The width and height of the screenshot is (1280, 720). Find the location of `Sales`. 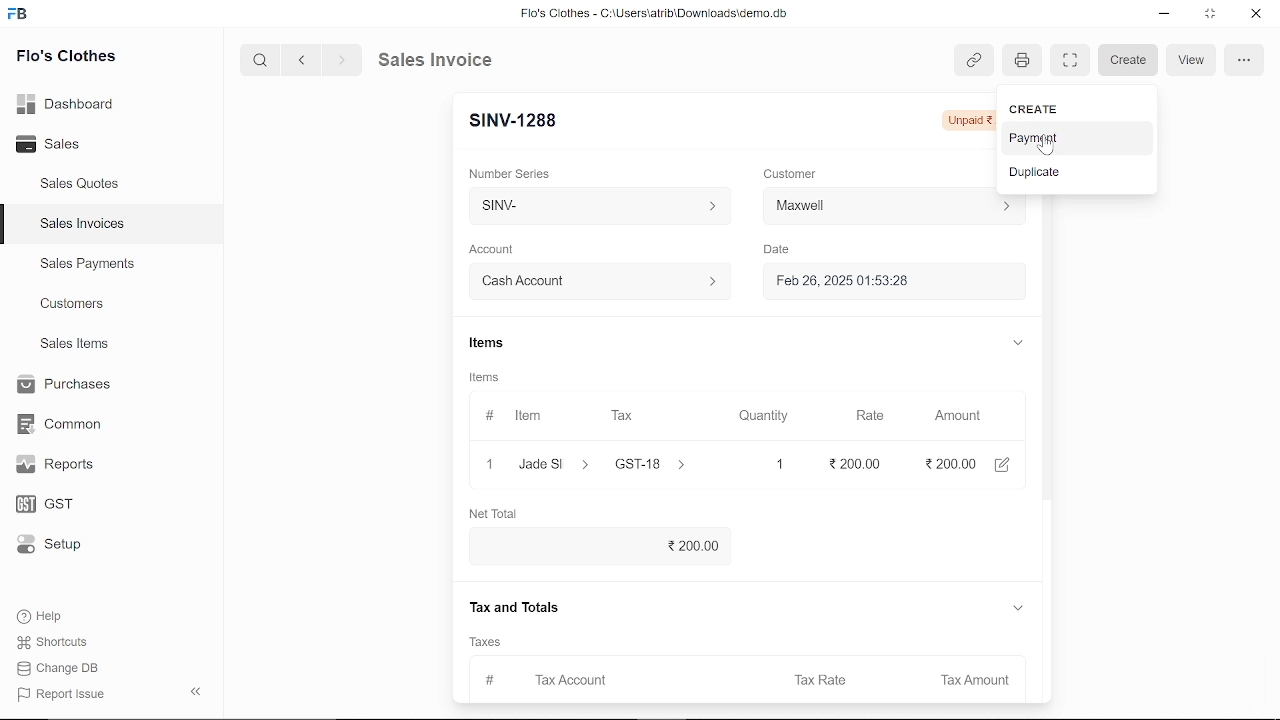

Sales is located at coordinates (70, 145).